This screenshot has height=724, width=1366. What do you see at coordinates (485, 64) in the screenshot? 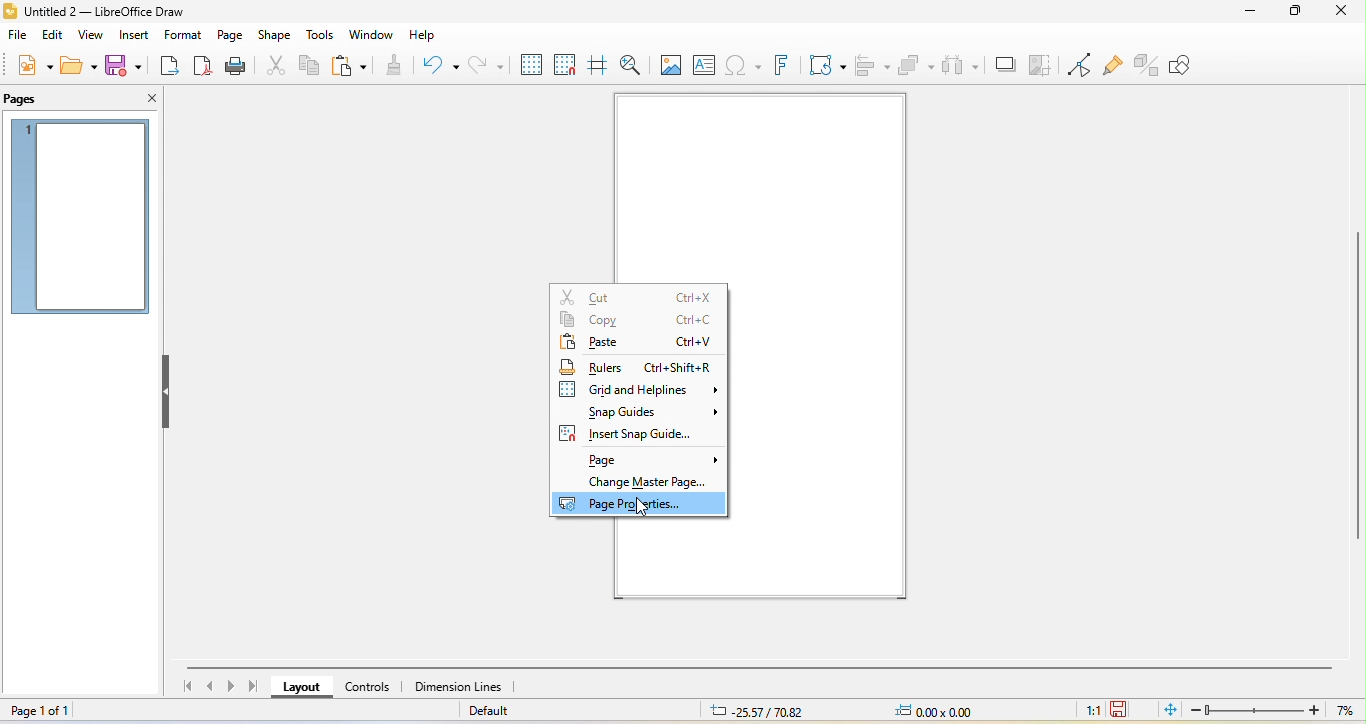
I see `redo` at bounding box center [485, 64].